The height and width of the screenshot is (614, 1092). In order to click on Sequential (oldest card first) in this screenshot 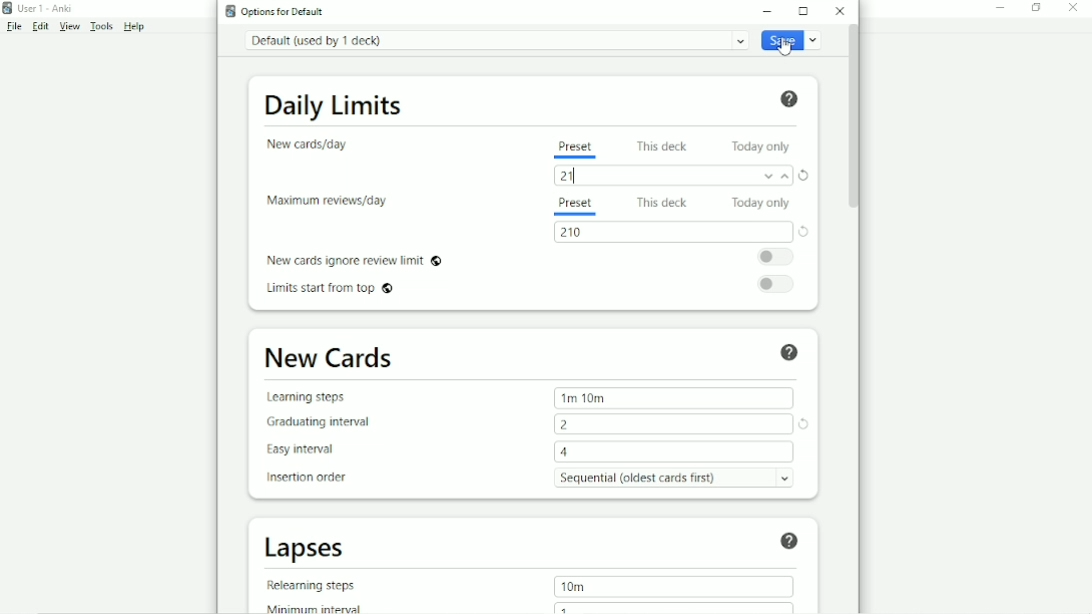, I will do `click(675, 479)`.